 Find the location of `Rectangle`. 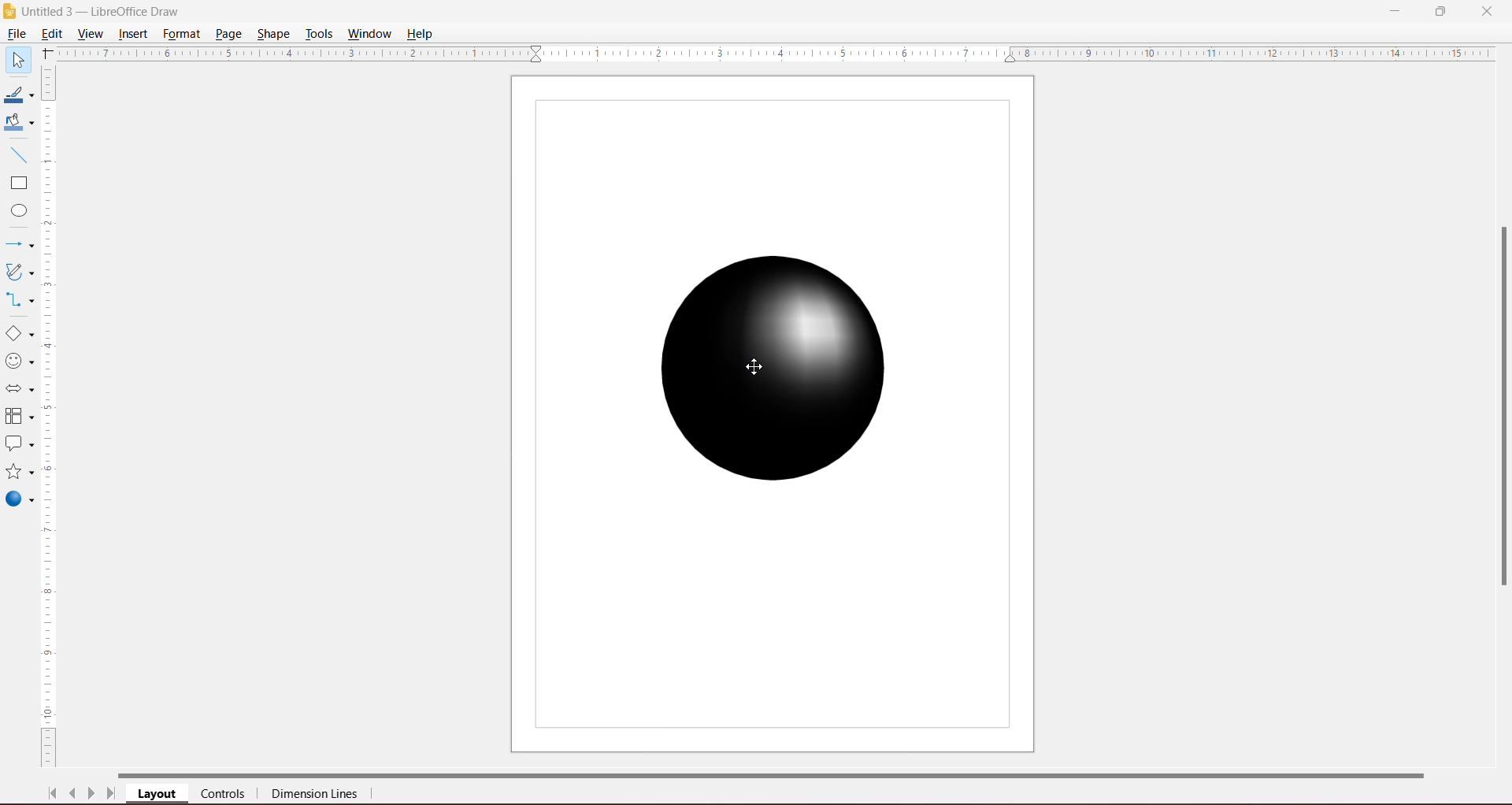

Rectangle is located at coordinates (17, 184).